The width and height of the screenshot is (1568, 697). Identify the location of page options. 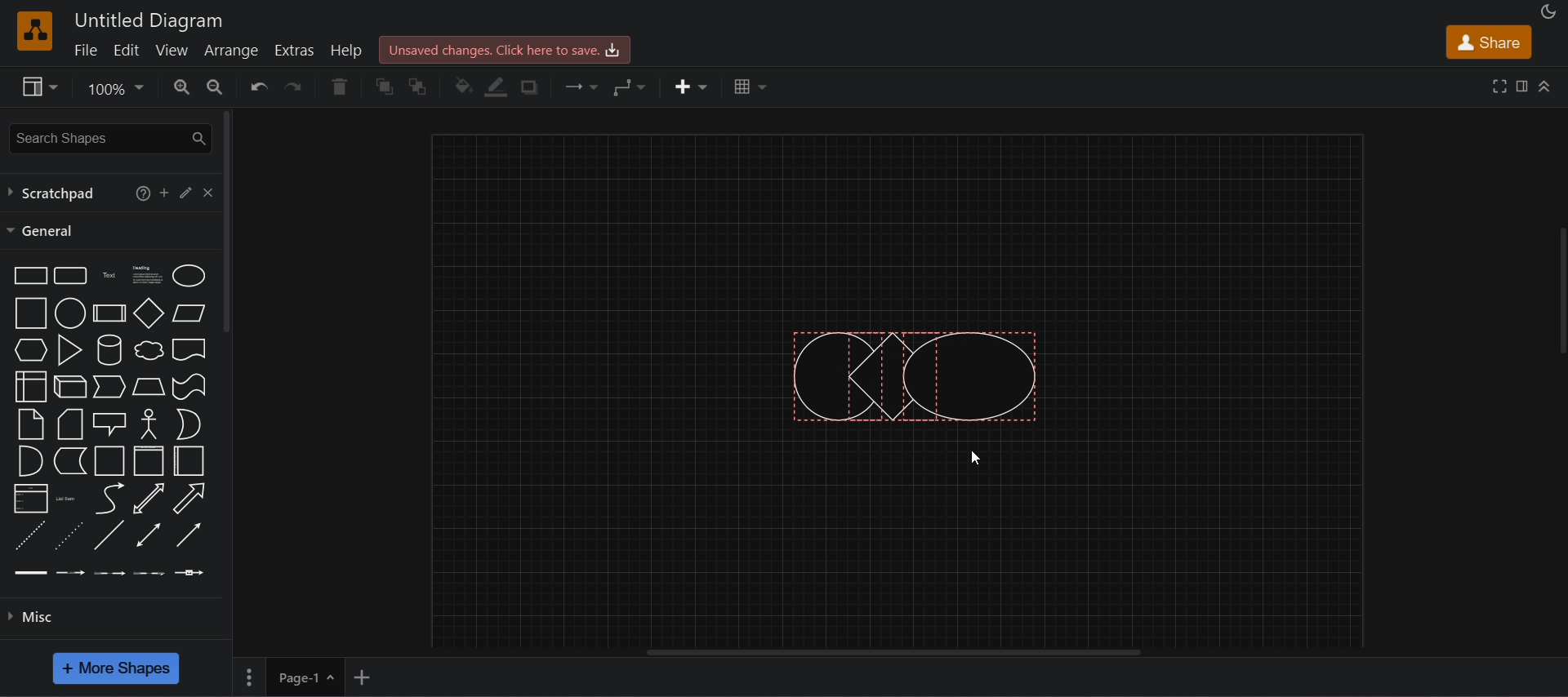
(248, 677).